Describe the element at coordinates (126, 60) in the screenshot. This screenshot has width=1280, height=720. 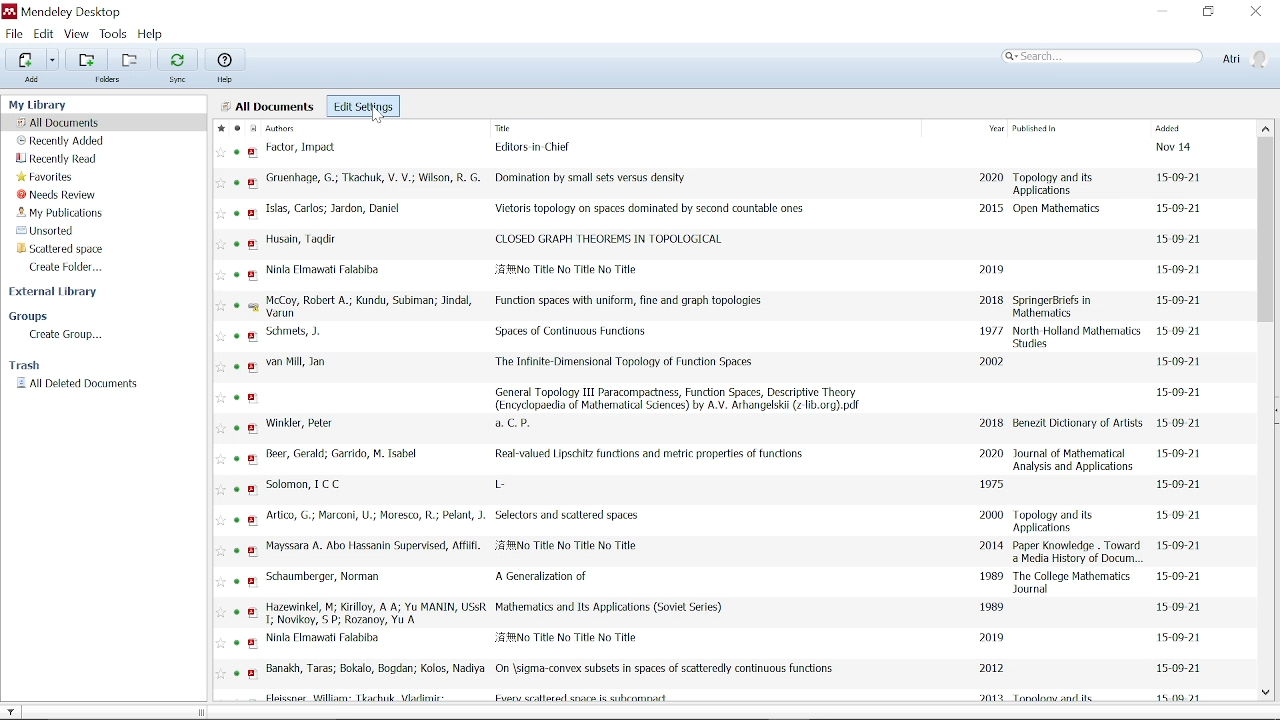
I see `Add folders` at that location.